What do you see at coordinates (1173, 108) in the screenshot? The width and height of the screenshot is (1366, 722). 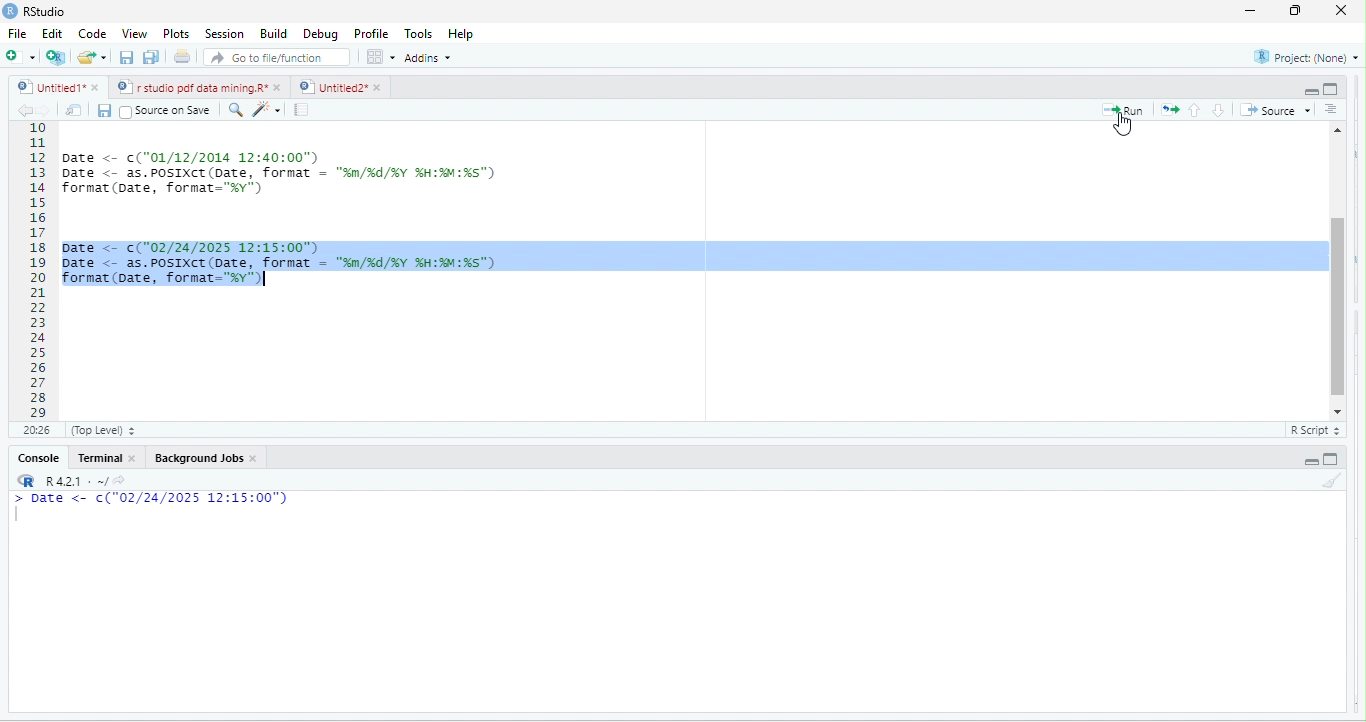 I see `re run the previous code region` at bounding box center [1173, 108].